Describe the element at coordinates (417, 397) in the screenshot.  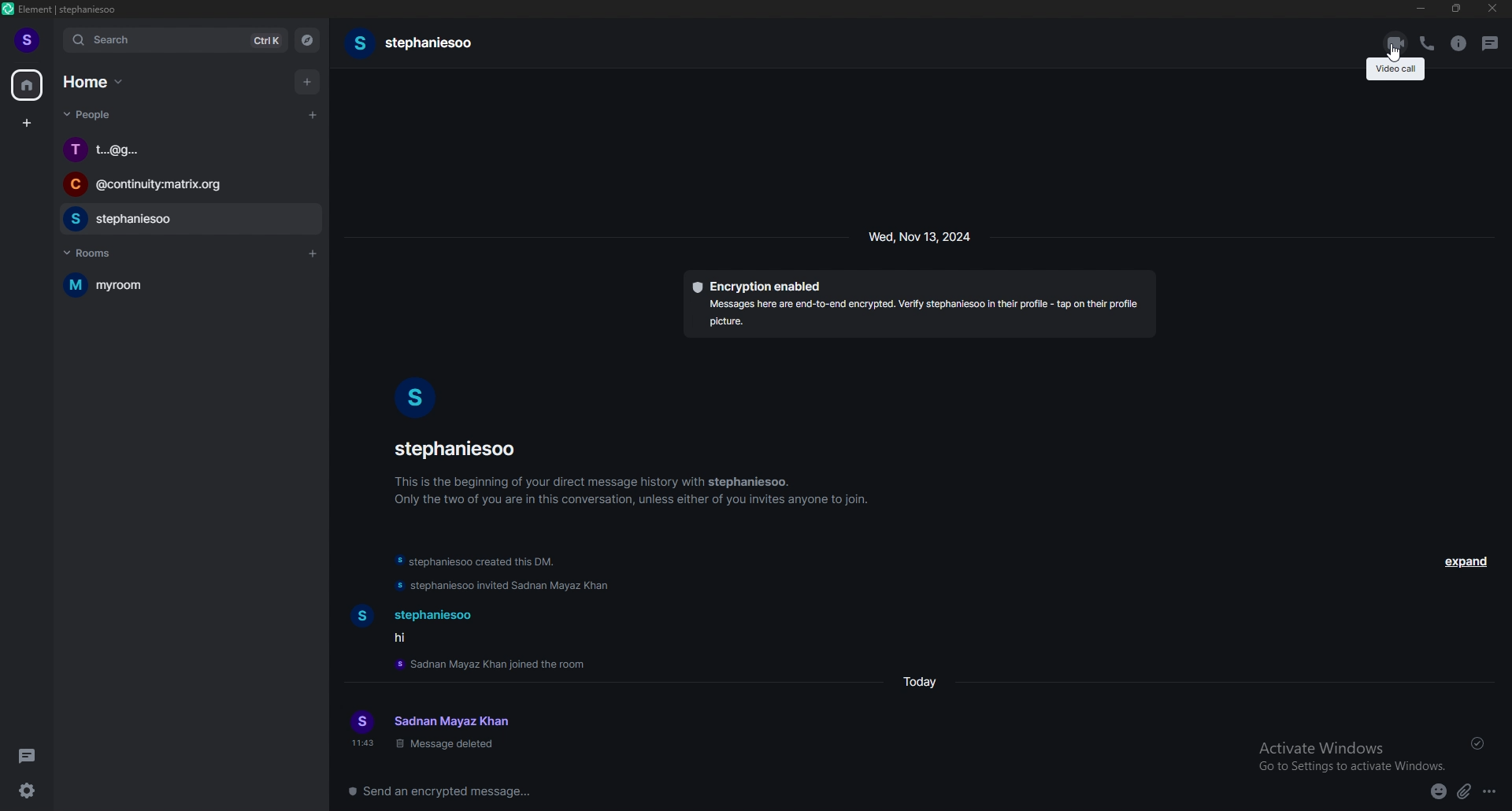
I see `user photo` at that location.